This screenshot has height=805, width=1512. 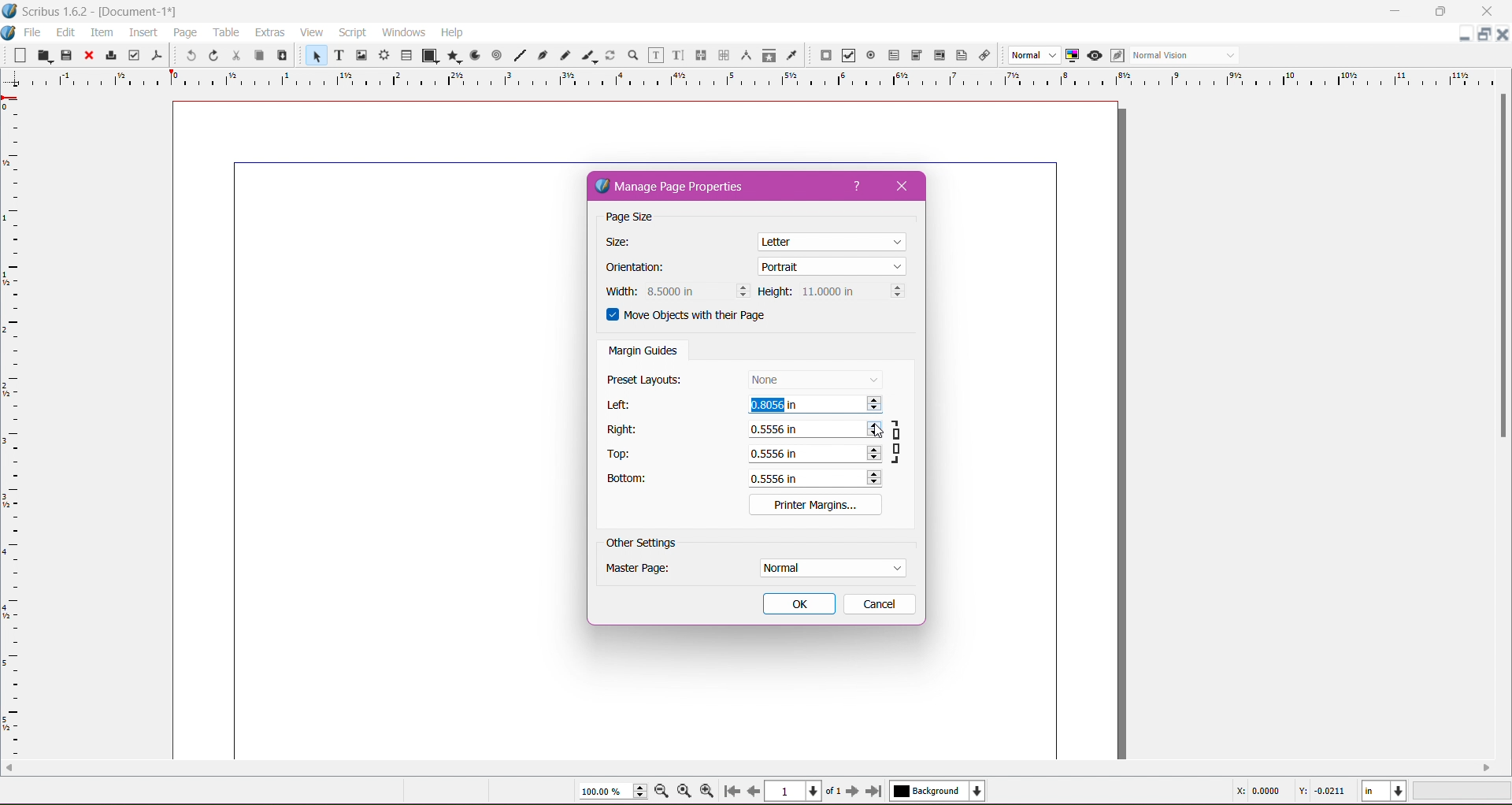 What do you see at coordinates (832, 265) in the screenshot?
I see `Set Page Orientation` at bounding box center [832, 265].